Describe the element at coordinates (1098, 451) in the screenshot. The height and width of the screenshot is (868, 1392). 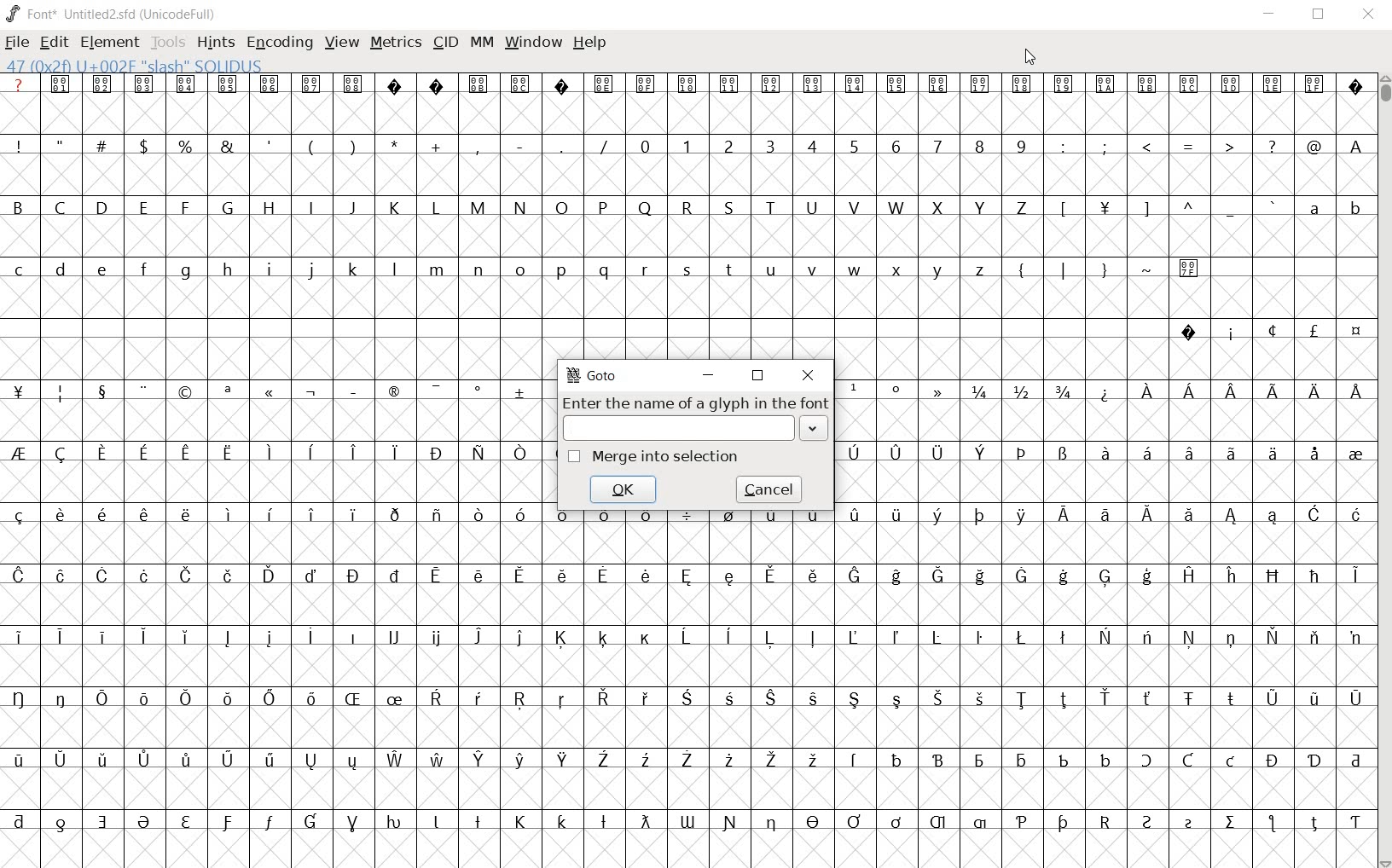
I see `speciial letter` at that location.